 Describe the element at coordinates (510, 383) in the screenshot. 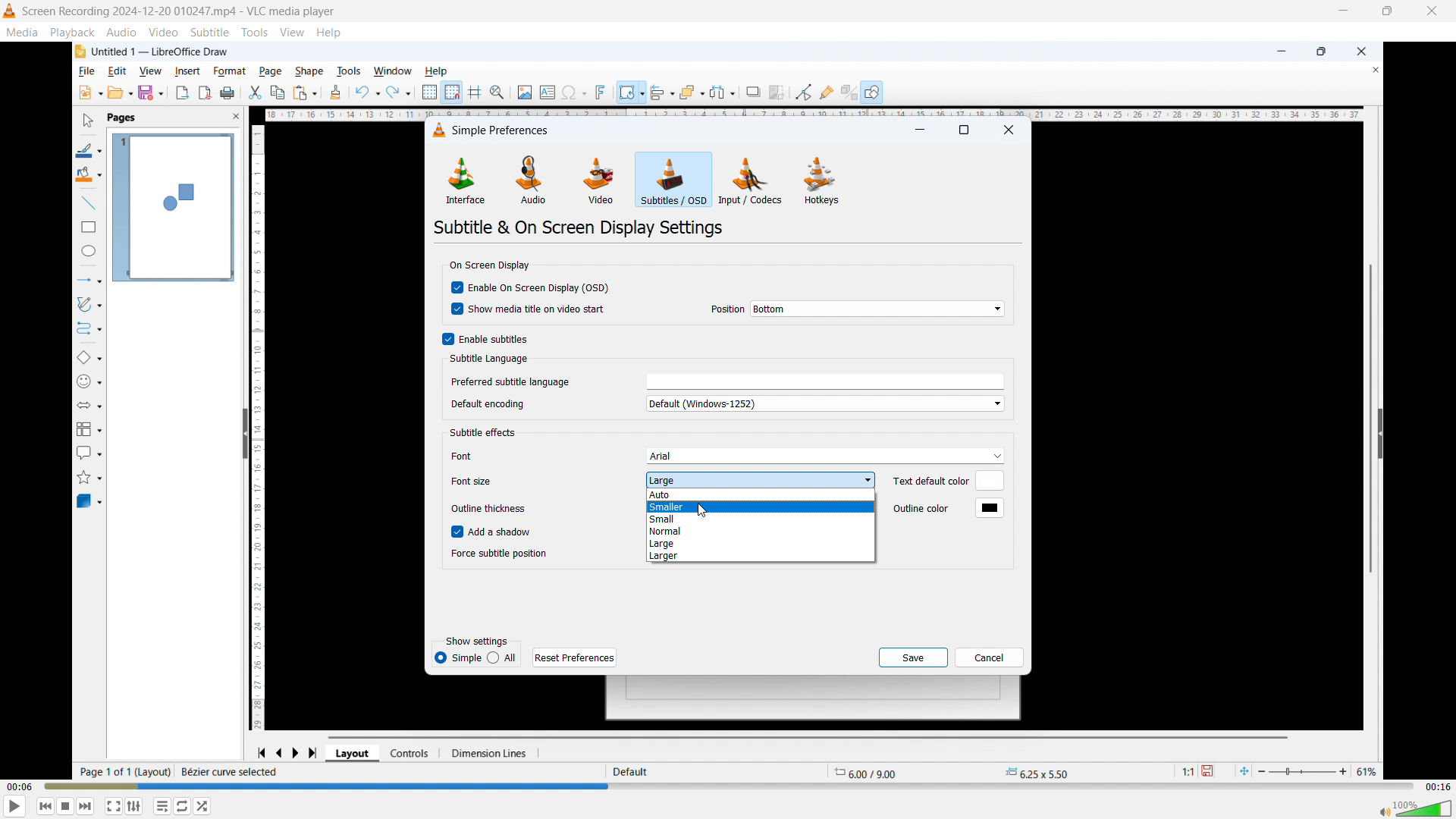

I see `Preferred subtitle language` at that location.